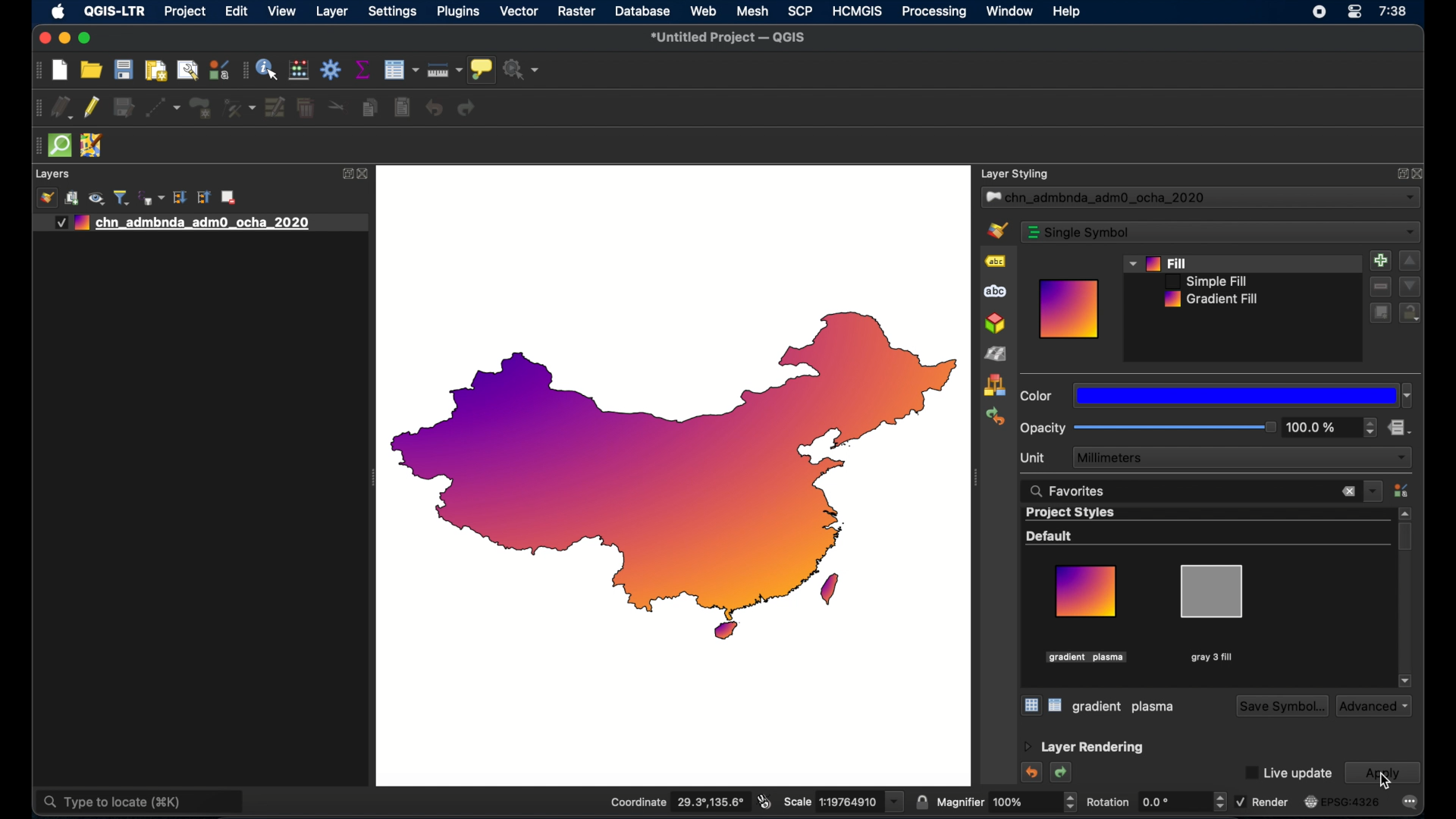 The image size is (1456, 819). Describe the element at coordinates (347, 173) in the screenshot. I see `expand` at that location.